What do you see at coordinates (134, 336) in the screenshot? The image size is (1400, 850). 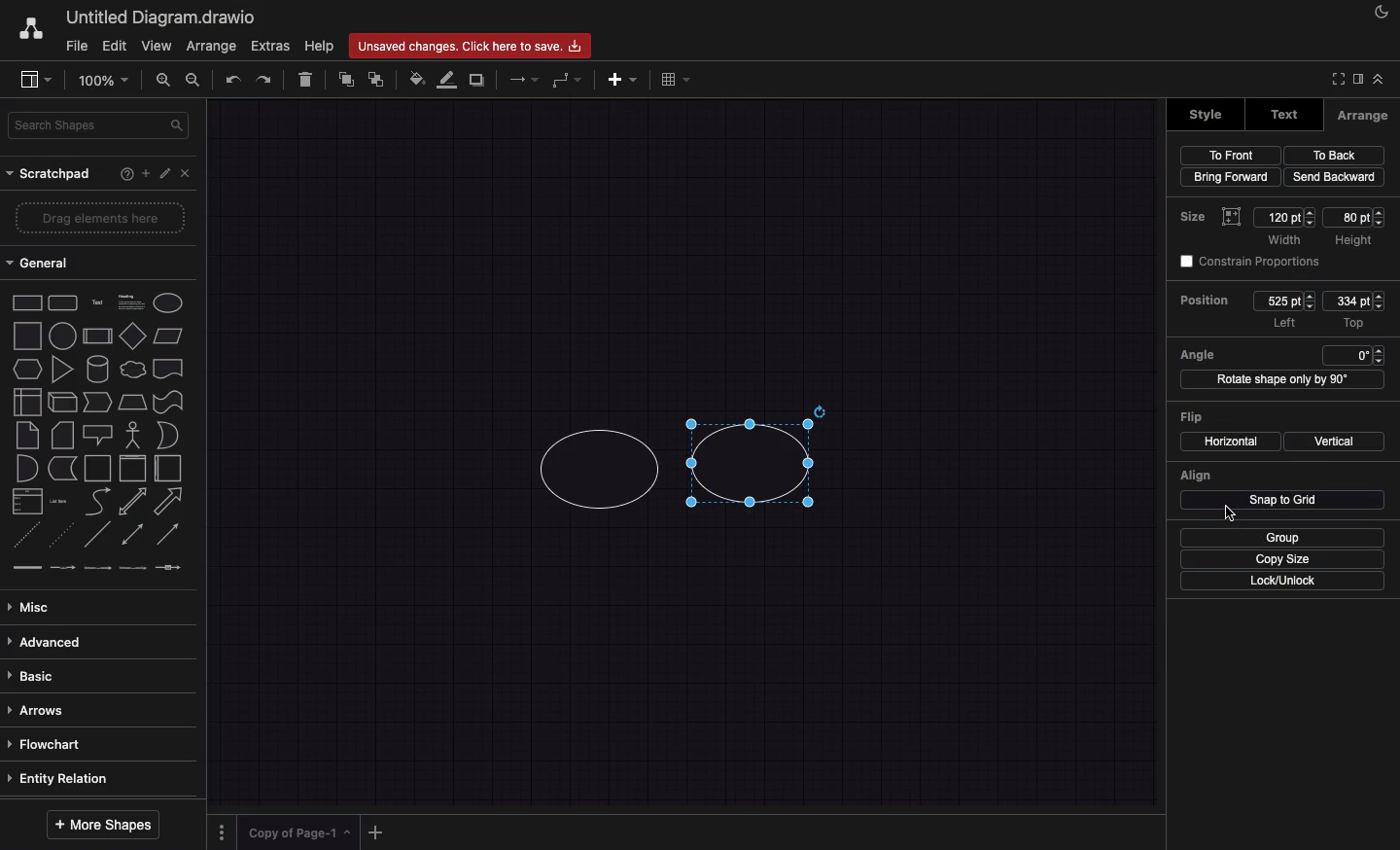 I see `diamond` at bounding box center [134, 336].